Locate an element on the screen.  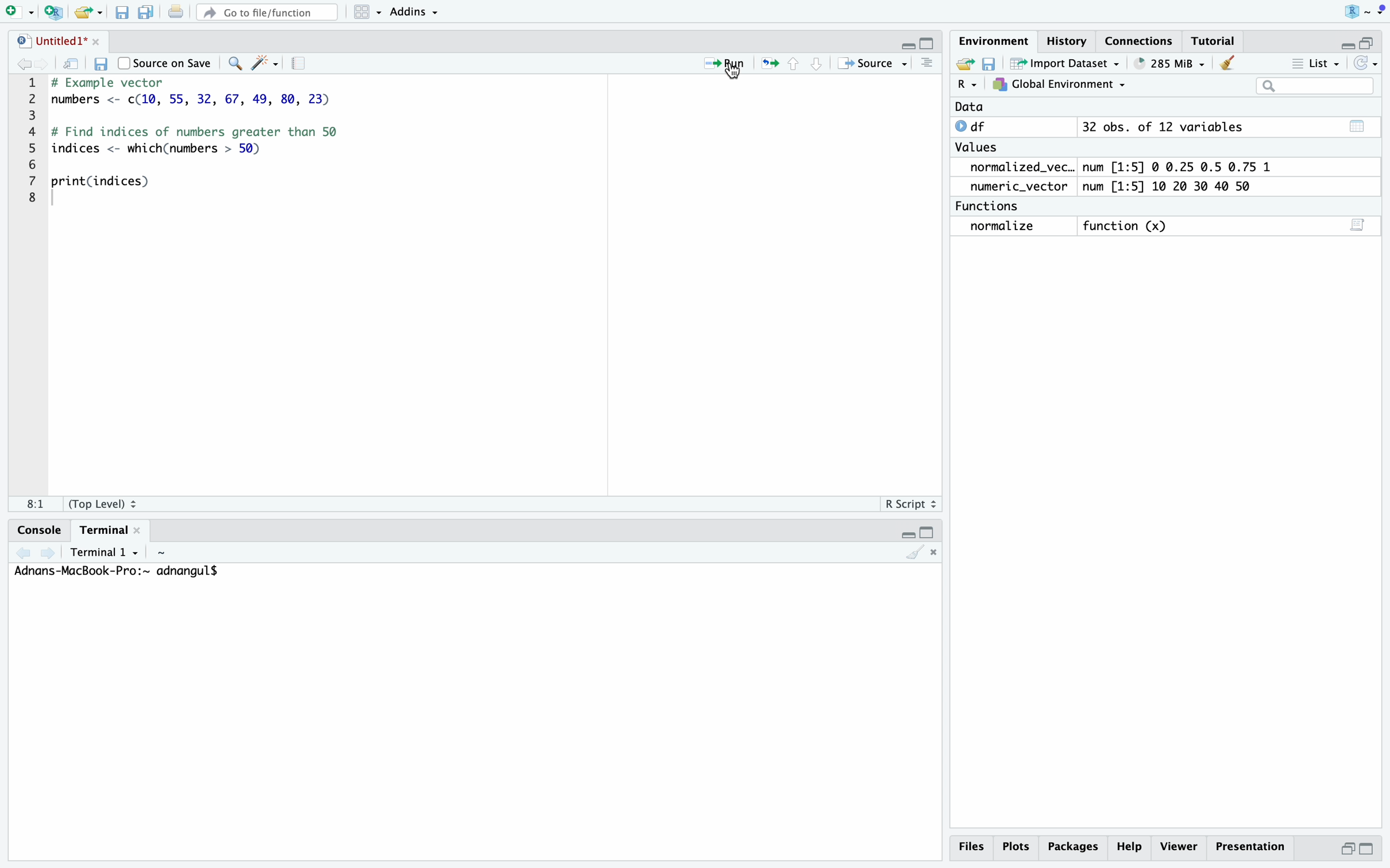
Addins is located at coordinates (411, 12).